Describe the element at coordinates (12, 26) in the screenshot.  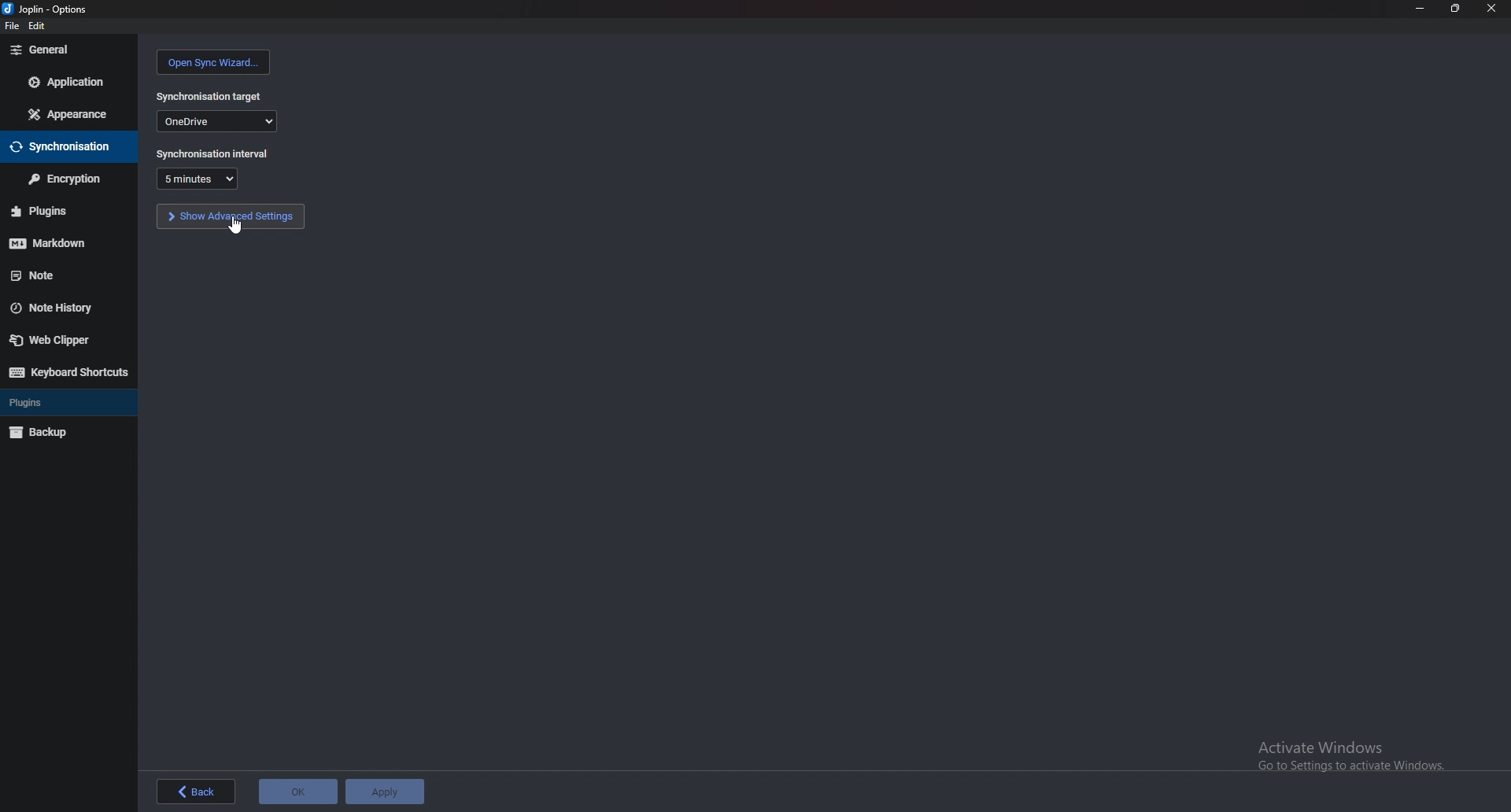
I see `file` at that location.